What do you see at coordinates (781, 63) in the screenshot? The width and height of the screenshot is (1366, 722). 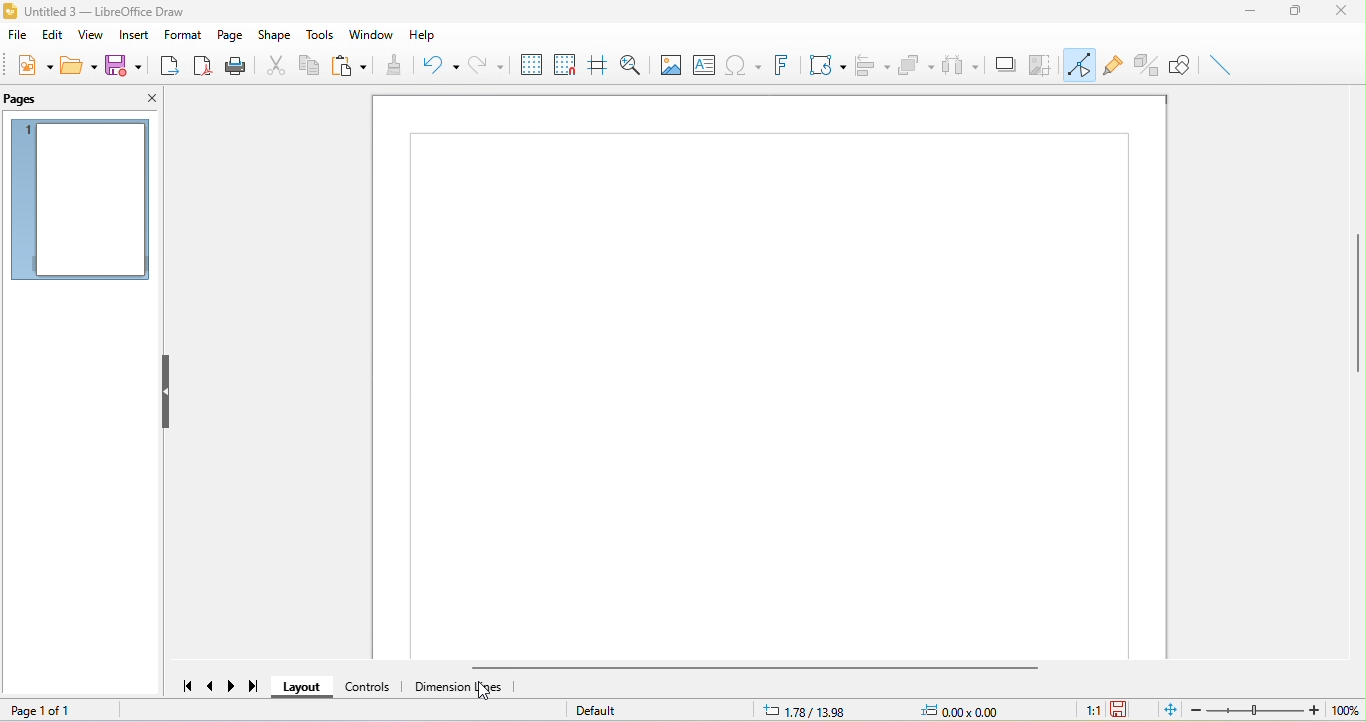 I see `font work text` at bounding box center [781, 63].